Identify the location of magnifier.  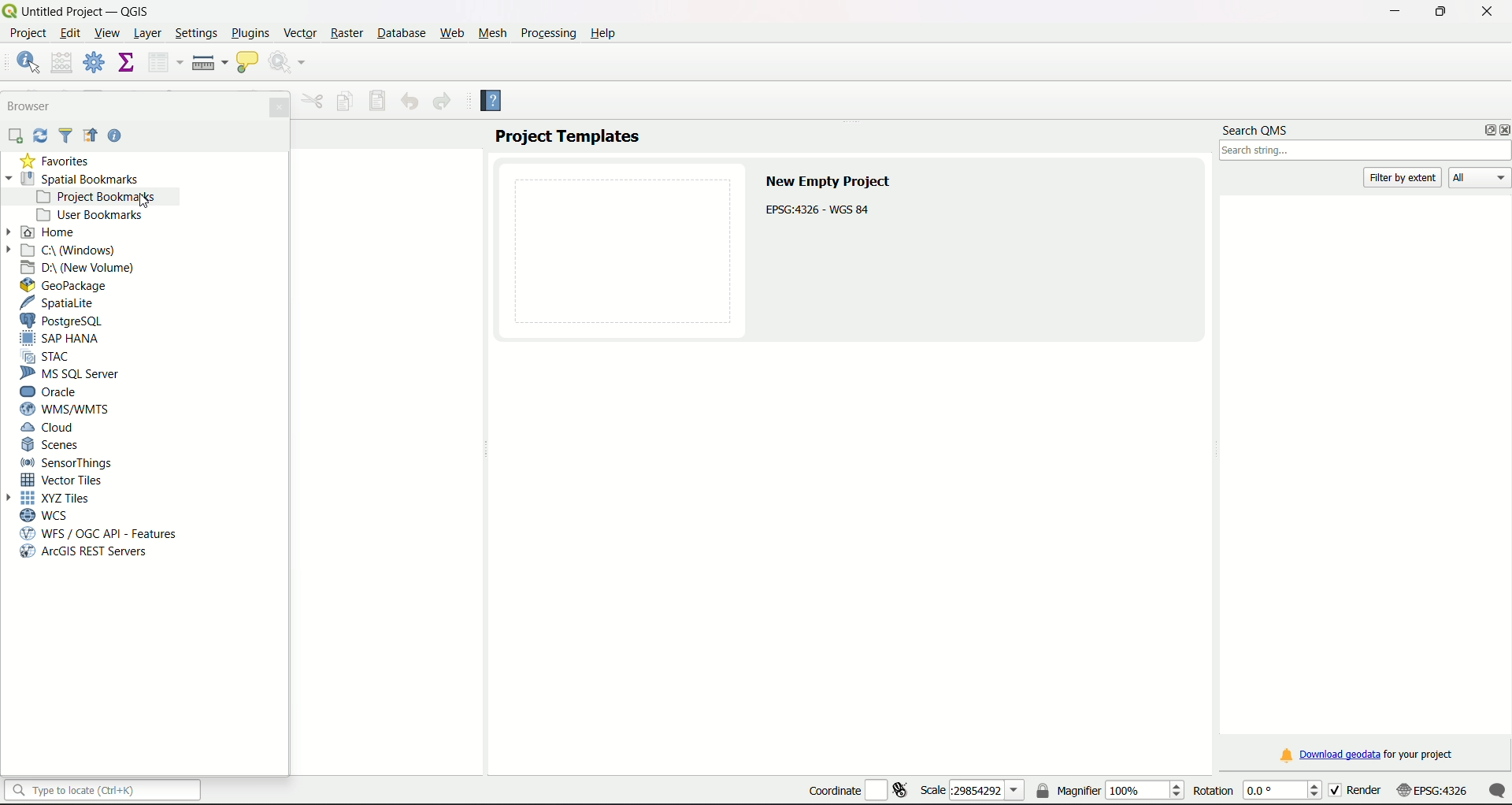
(1110, 789).